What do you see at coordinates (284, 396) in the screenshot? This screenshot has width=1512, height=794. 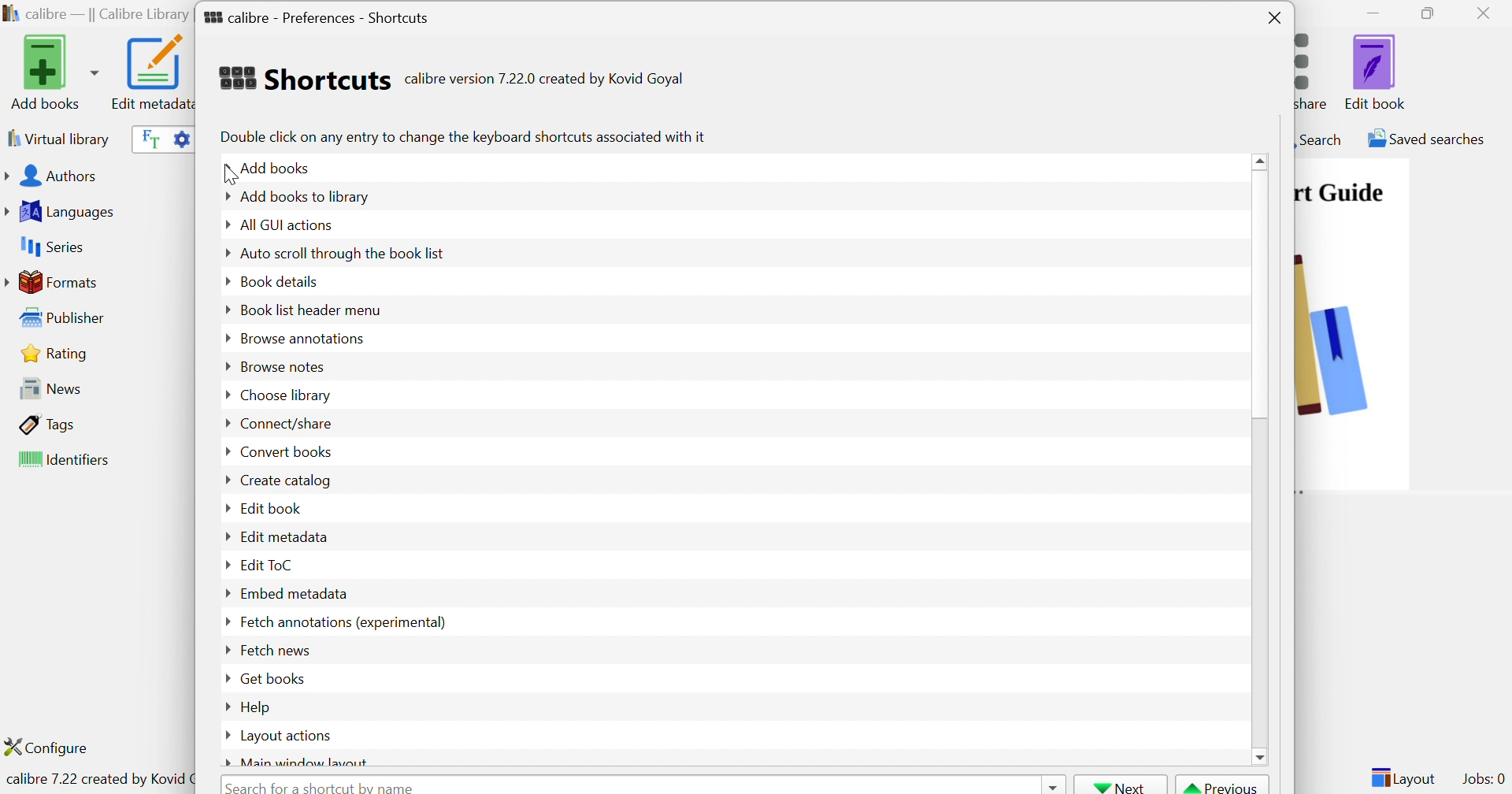 I see `Choose library` at bounding box center [284, 396].